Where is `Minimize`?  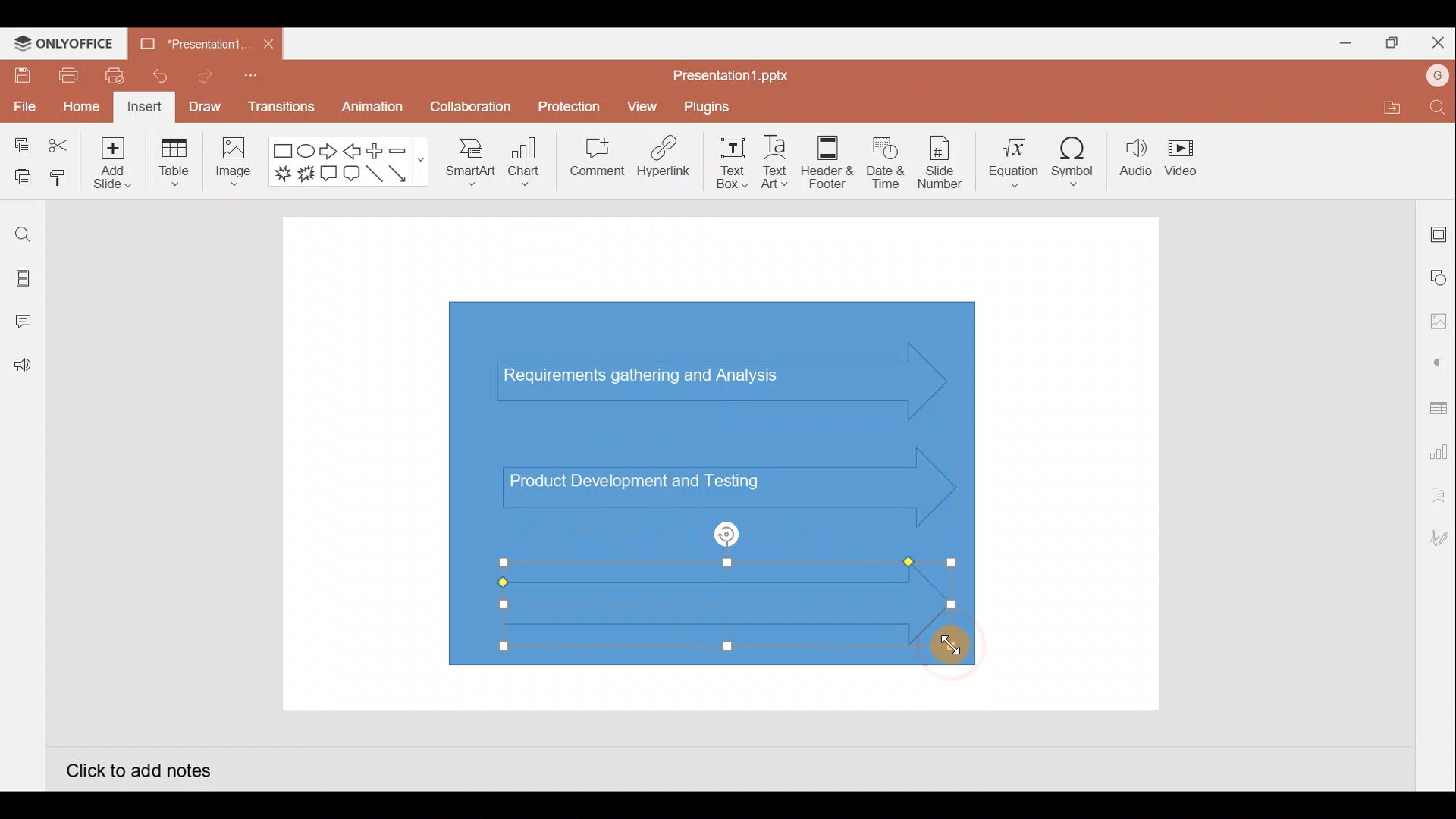
Minimize is located at coordinates (1339, 40).